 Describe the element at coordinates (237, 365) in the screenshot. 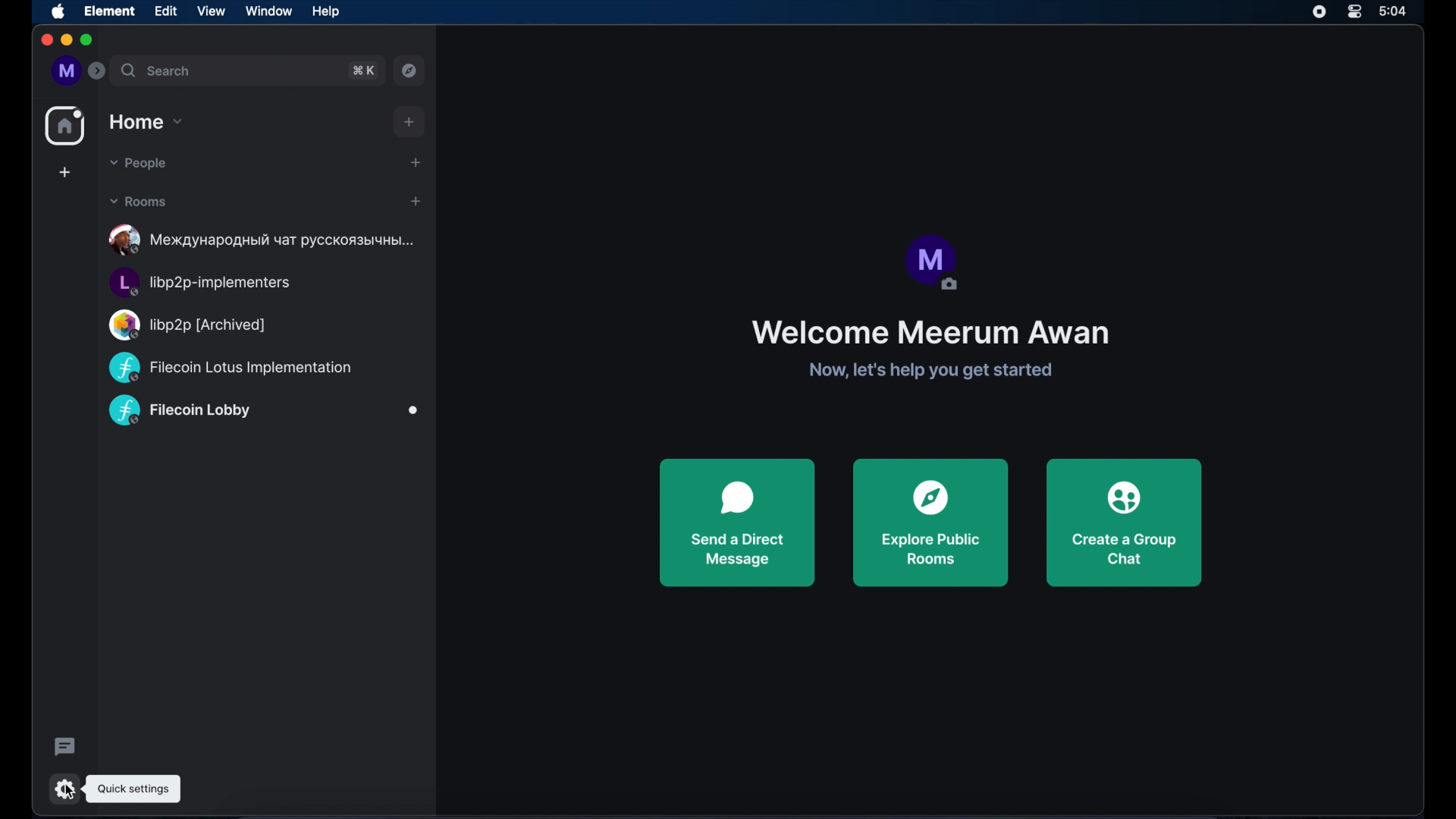

I see `&F Filecoin Lotus Implementation` at that location.